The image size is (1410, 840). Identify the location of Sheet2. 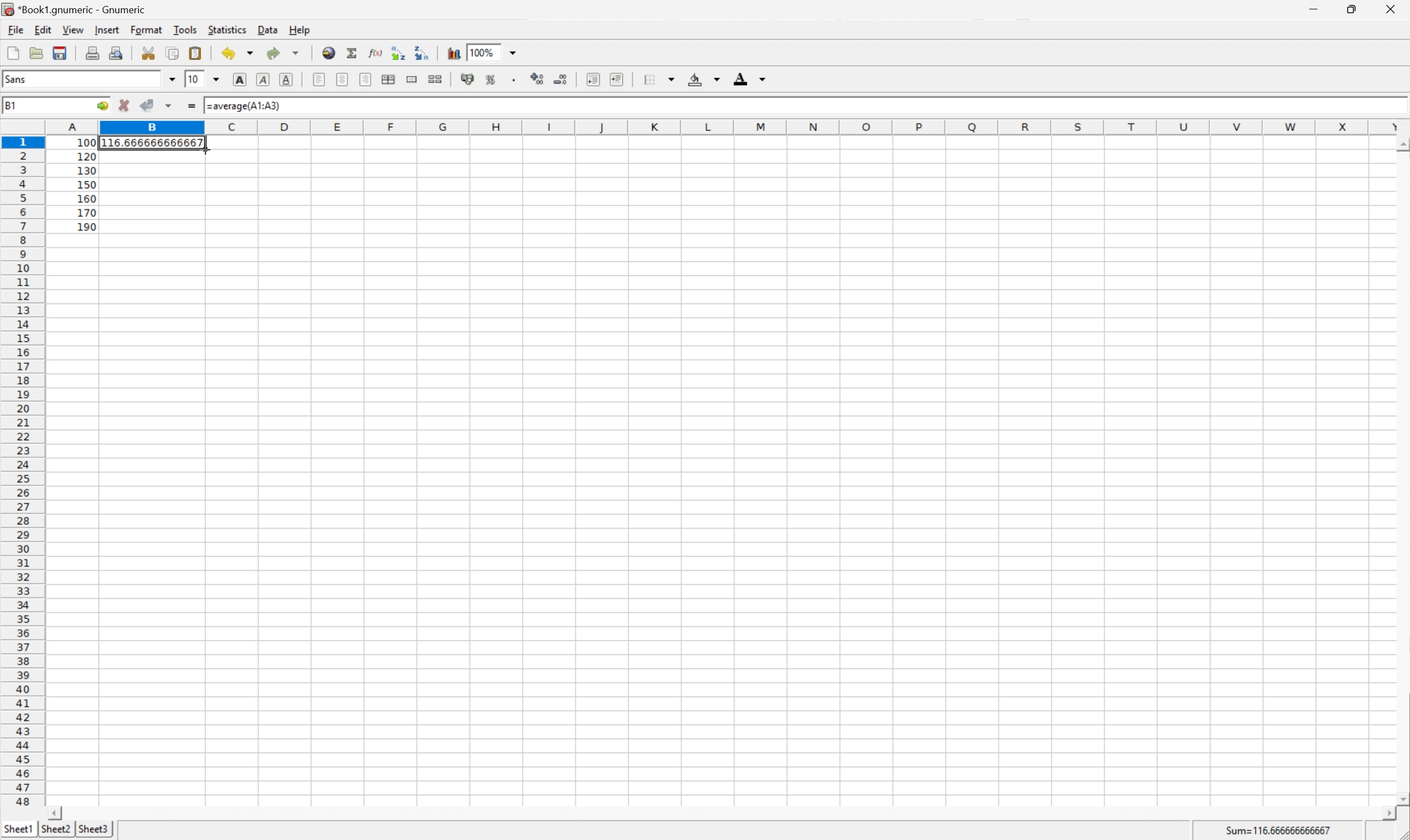
(57, 829).